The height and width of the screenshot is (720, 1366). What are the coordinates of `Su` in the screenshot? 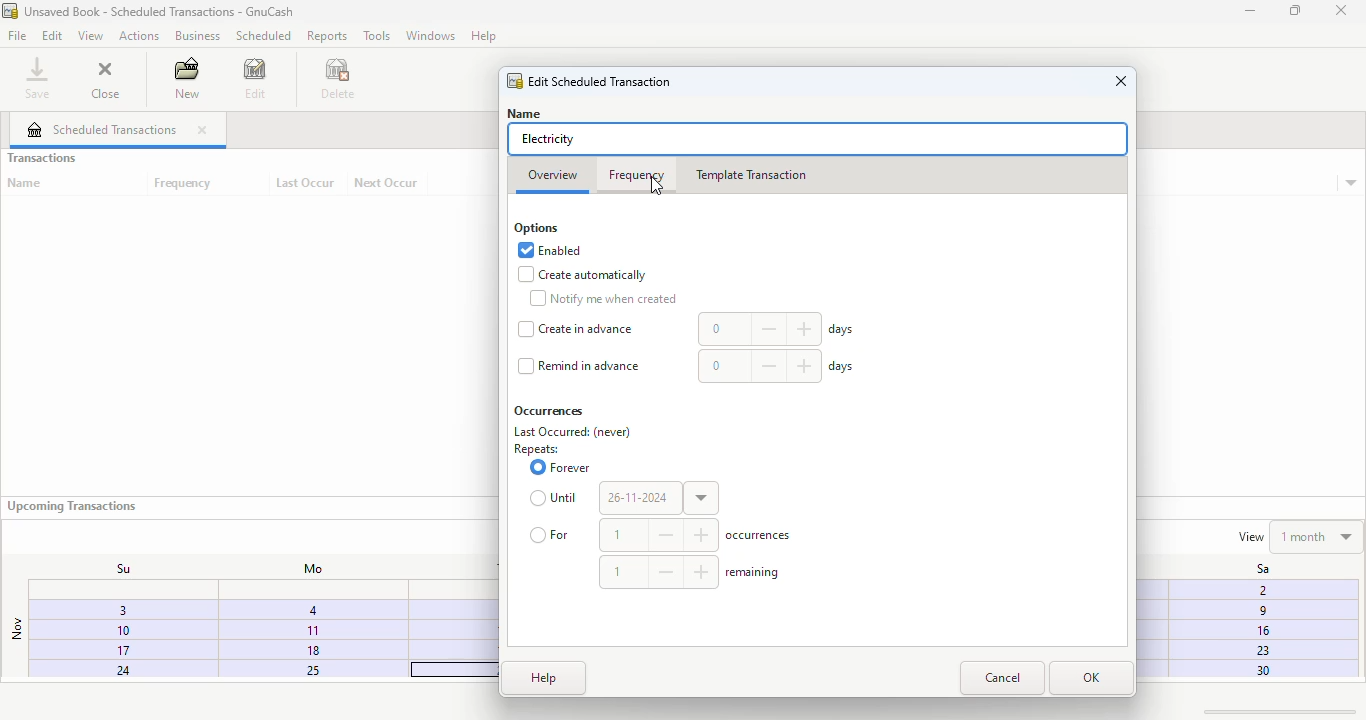 It's located at (113, 568).